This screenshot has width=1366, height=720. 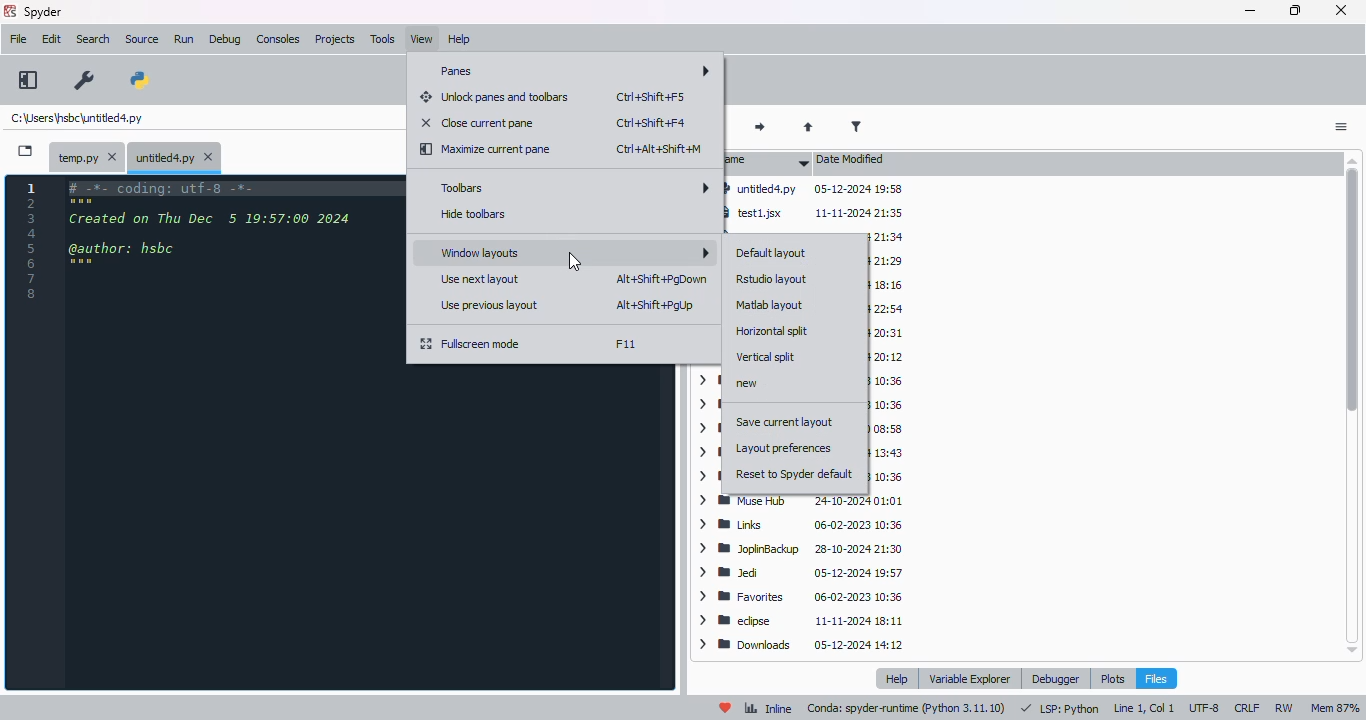 I want to click on filter filenames, so click(x=856, y=126).